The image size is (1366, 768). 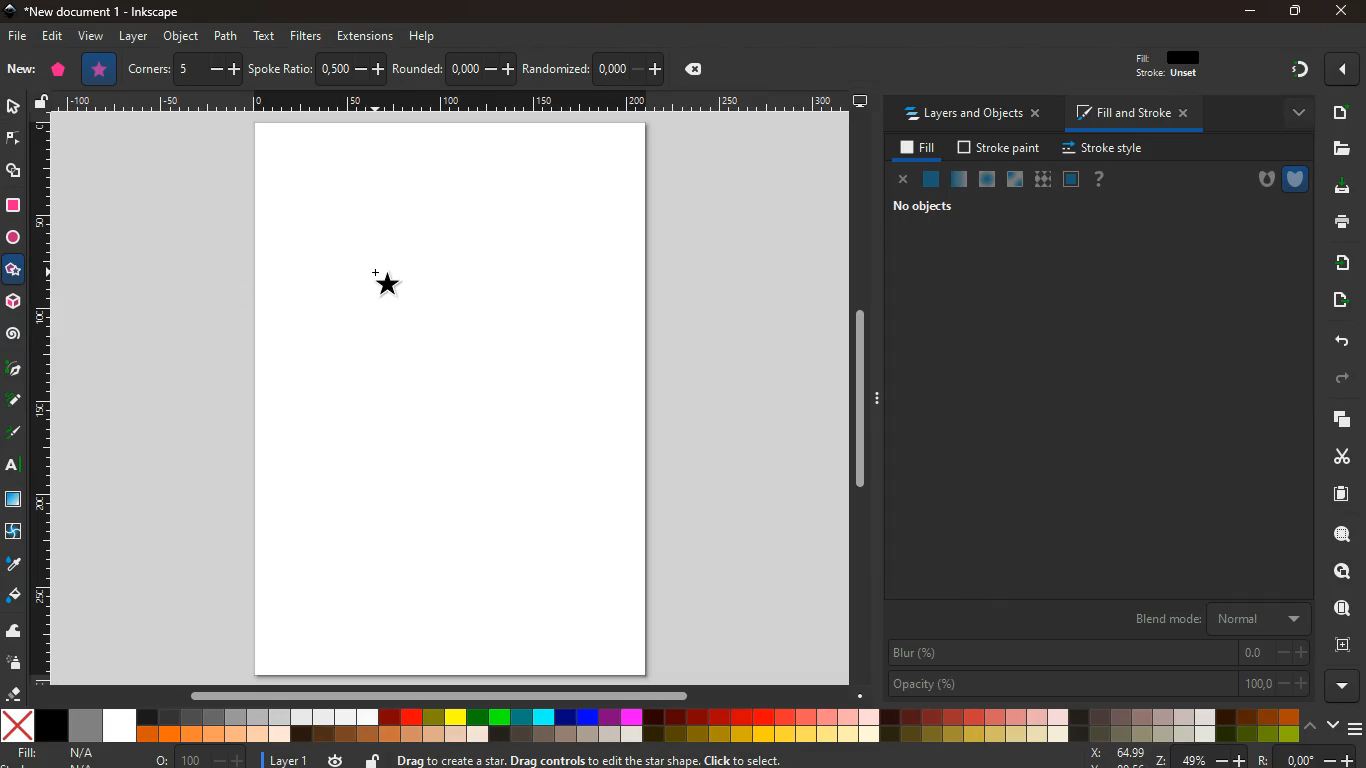 I want to click on no objects, so click(x=925, y=206).